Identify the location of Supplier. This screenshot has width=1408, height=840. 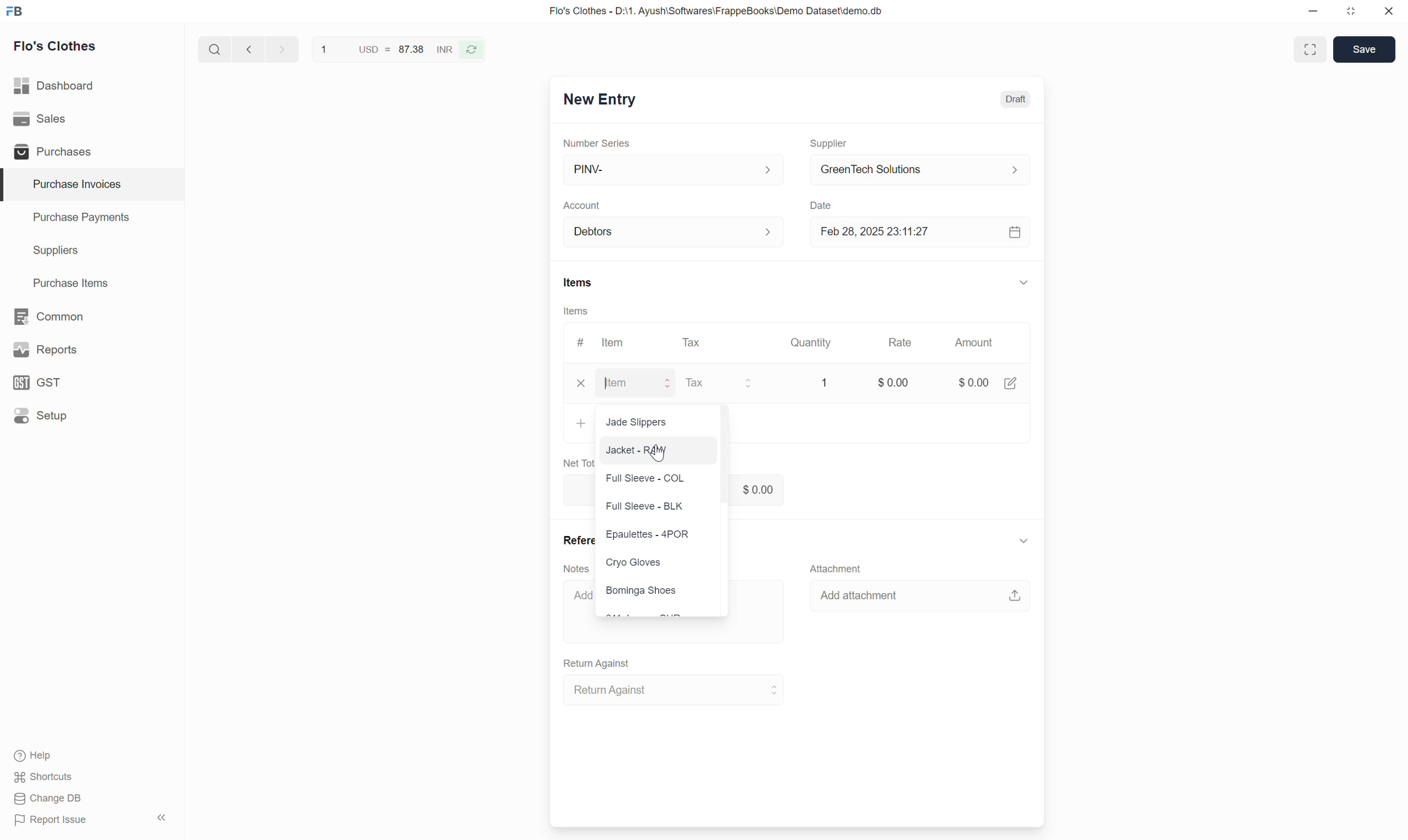
(829, 144).